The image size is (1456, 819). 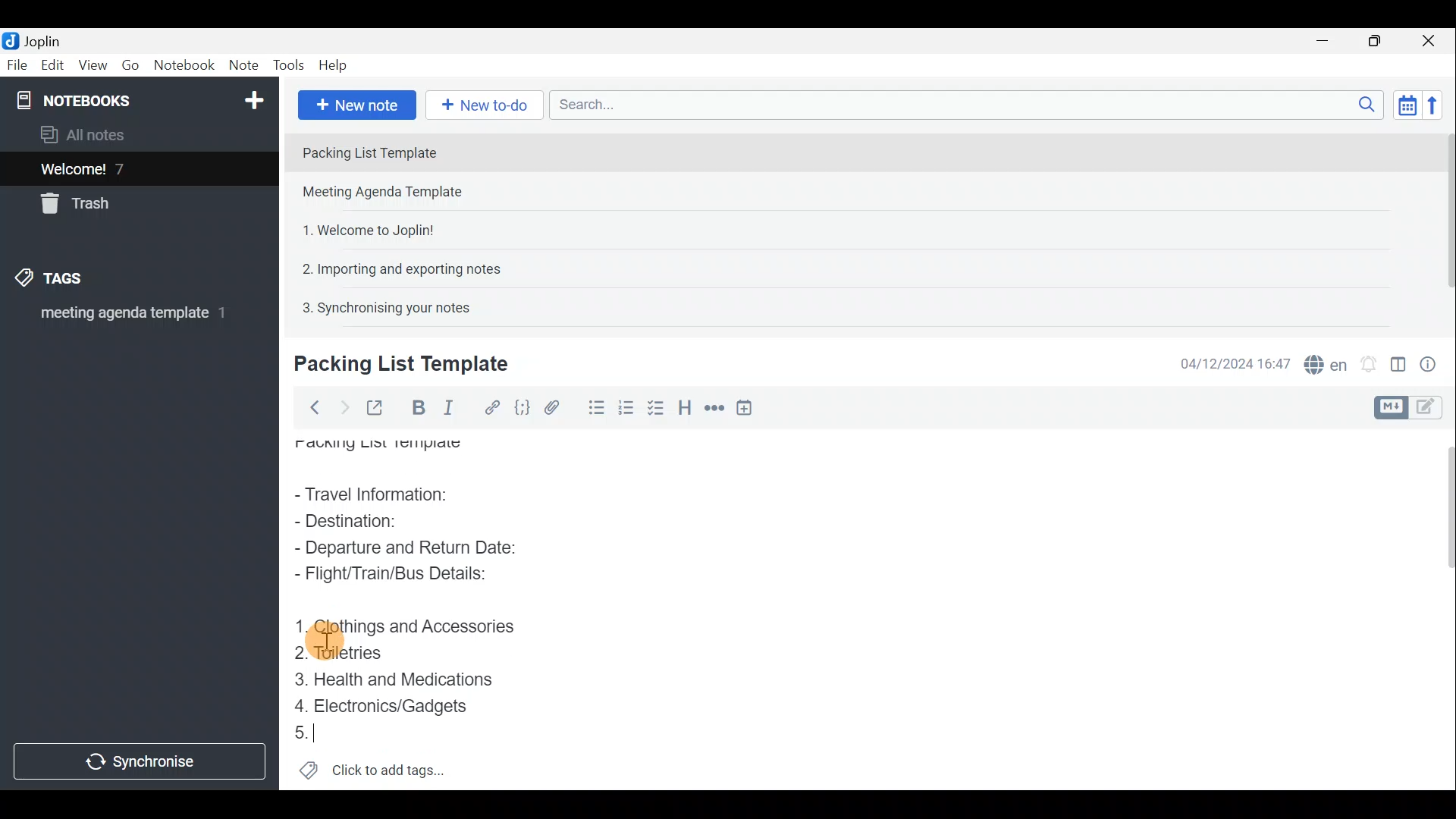 I want to click on Toggle sort order field, so click(x=1402, y=105).